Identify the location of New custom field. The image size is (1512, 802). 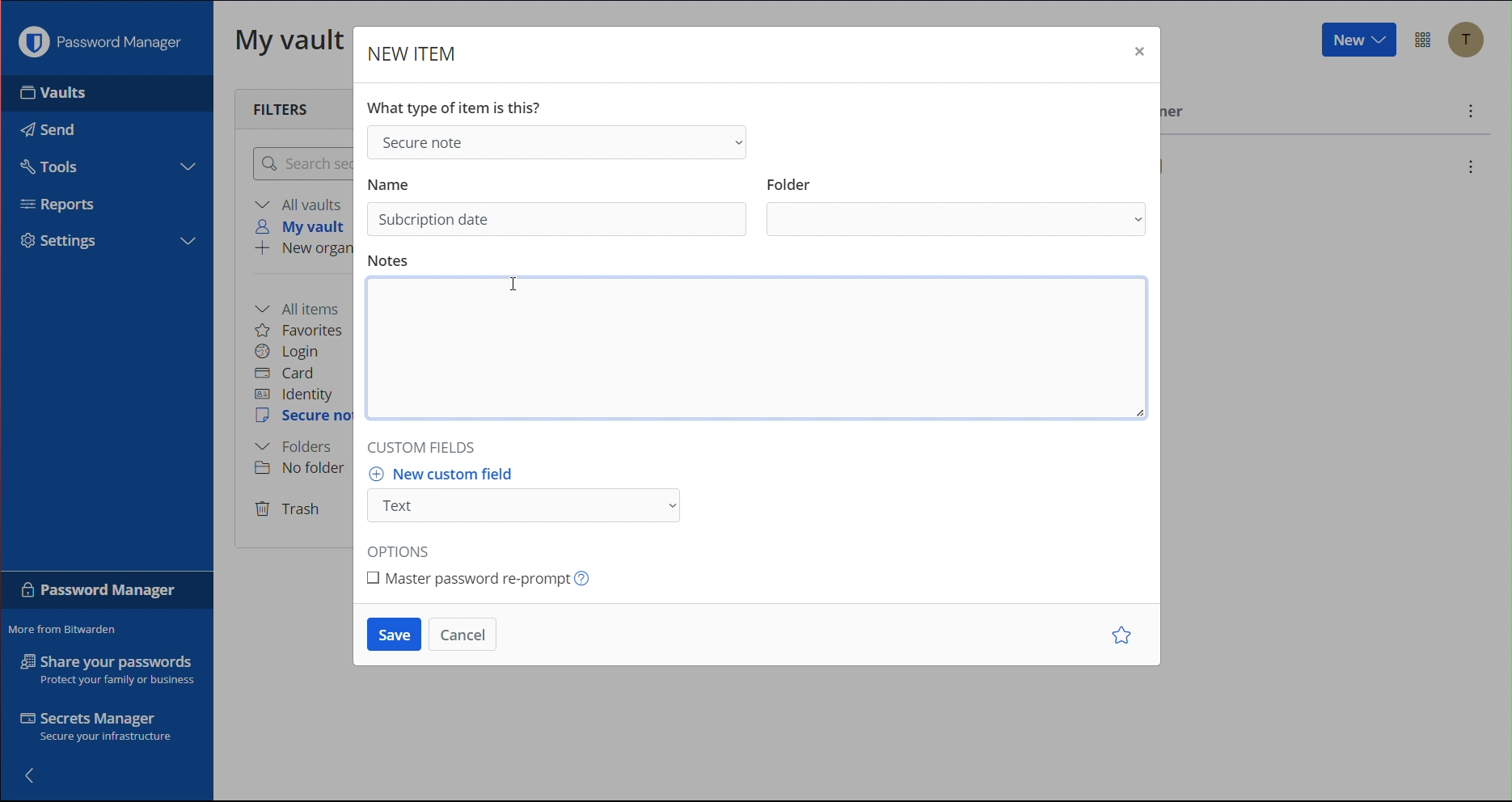
(450, 474).